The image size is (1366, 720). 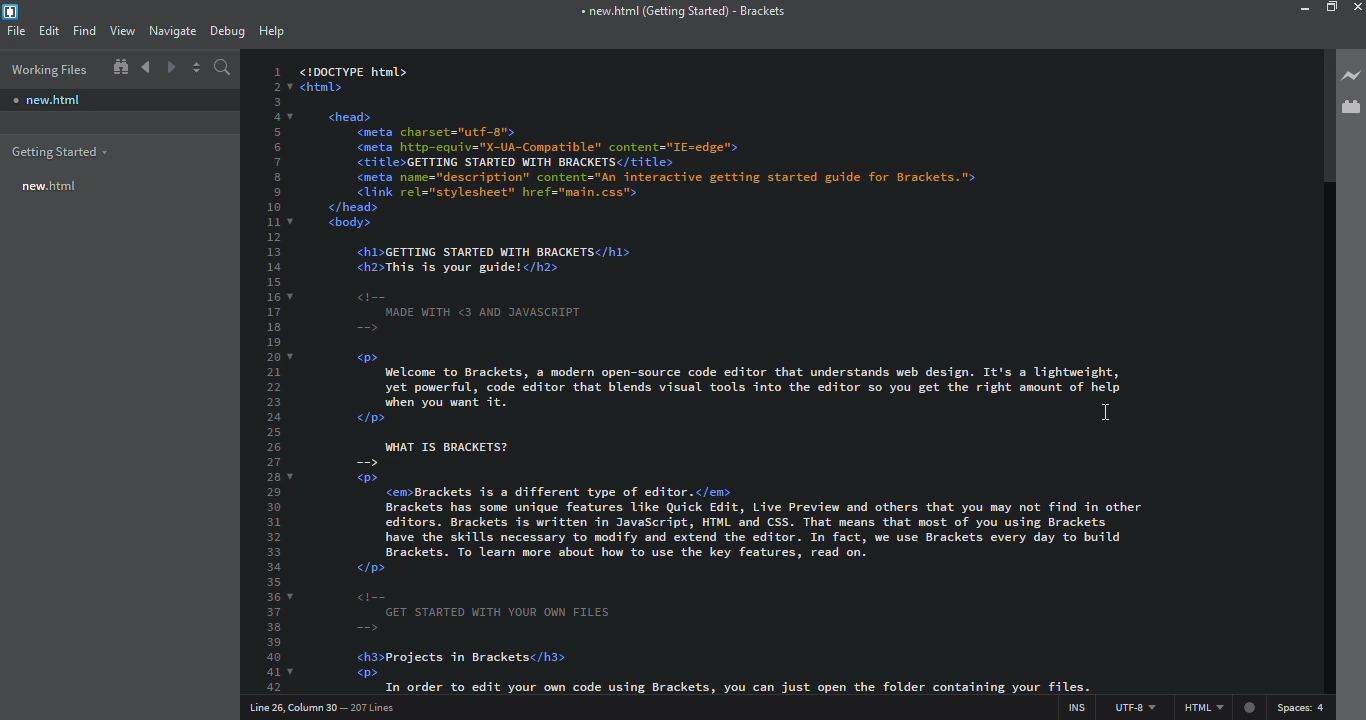 I want to click on cursor, so click(x=1104, y=413).